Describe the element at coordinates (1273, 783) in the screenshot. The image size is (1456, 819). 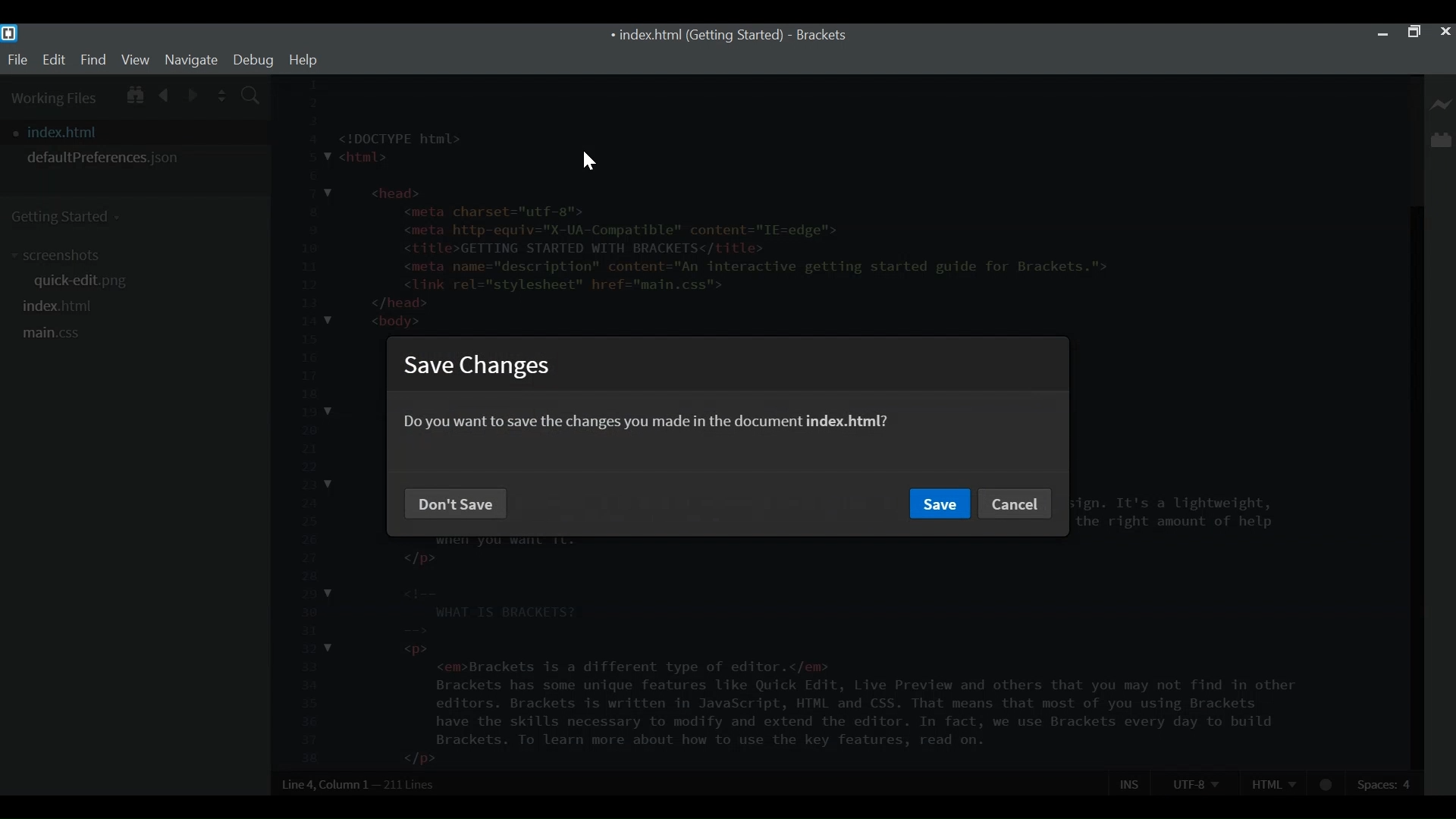
I see `HTML` at that location.